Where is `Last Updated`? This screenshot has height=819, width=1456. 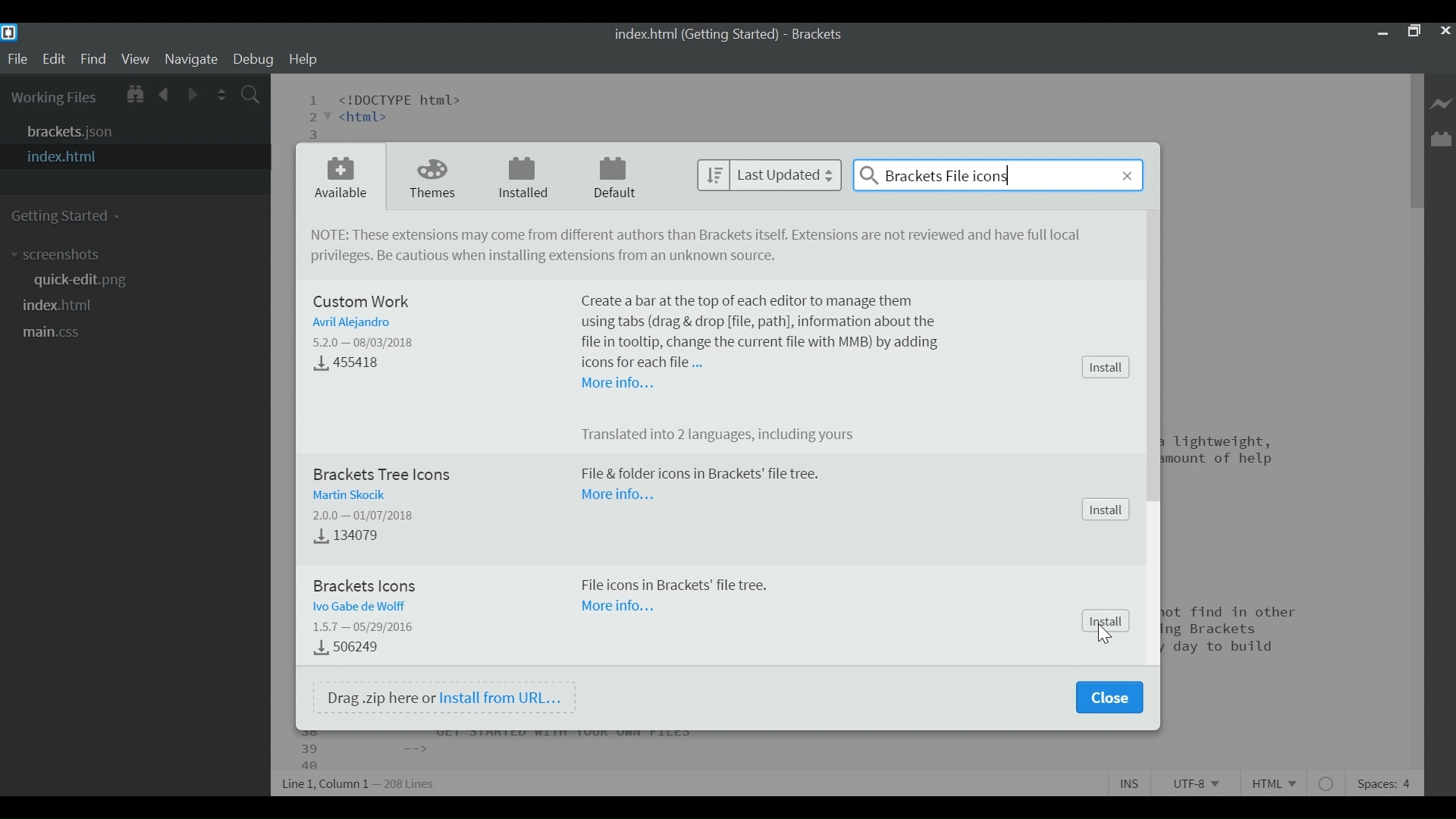
Last Updated is located at coordinates (768, 176).